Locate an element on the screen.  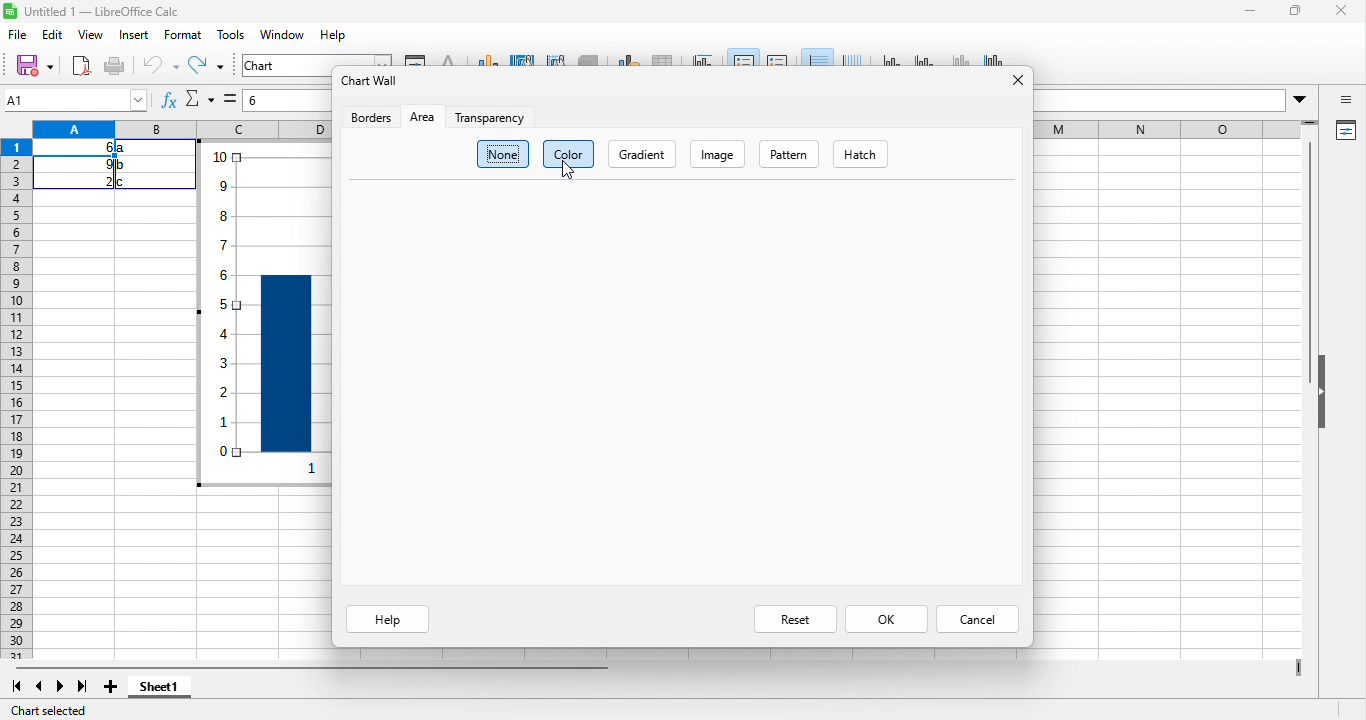
c is located at coordinates (124, 182).